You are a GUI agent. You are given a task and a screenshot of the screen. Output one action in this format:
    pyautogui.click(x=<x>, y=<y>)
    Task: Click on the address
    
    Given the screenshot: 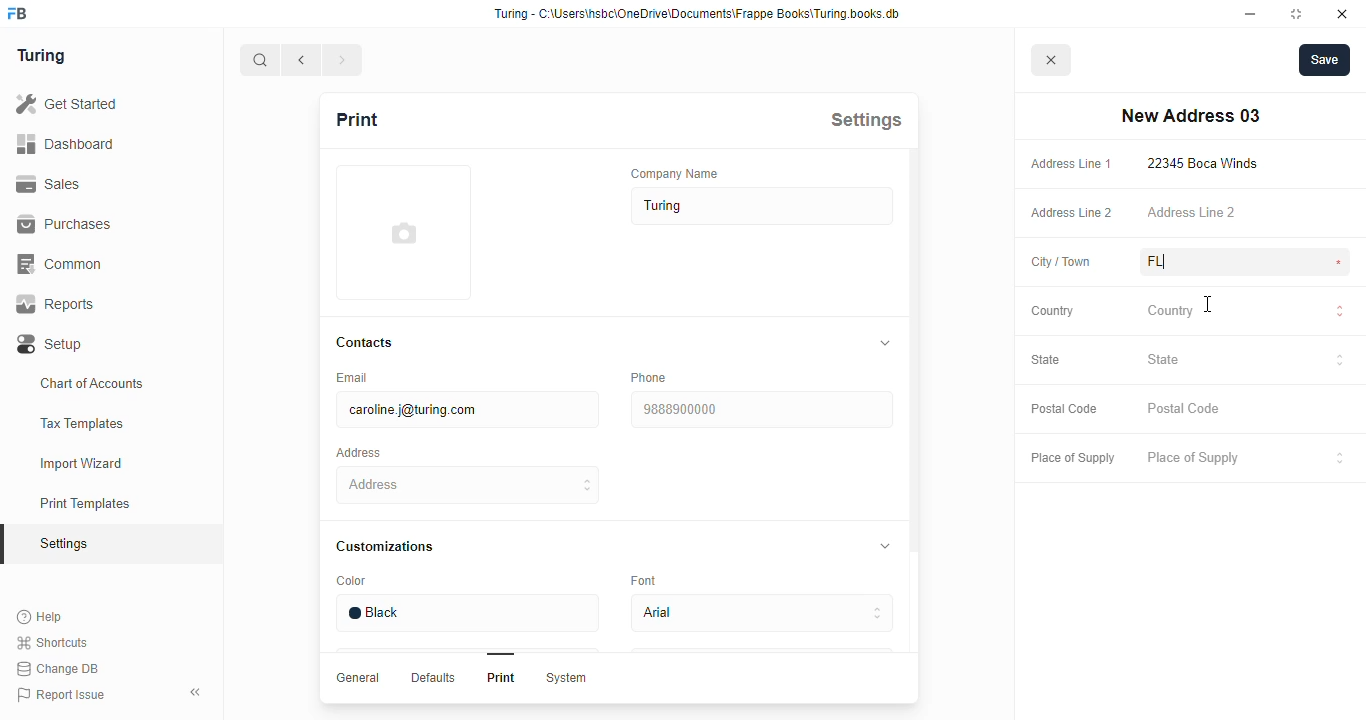 What is the action you would take?
    pyautogui.click(x=469, y=485)
    